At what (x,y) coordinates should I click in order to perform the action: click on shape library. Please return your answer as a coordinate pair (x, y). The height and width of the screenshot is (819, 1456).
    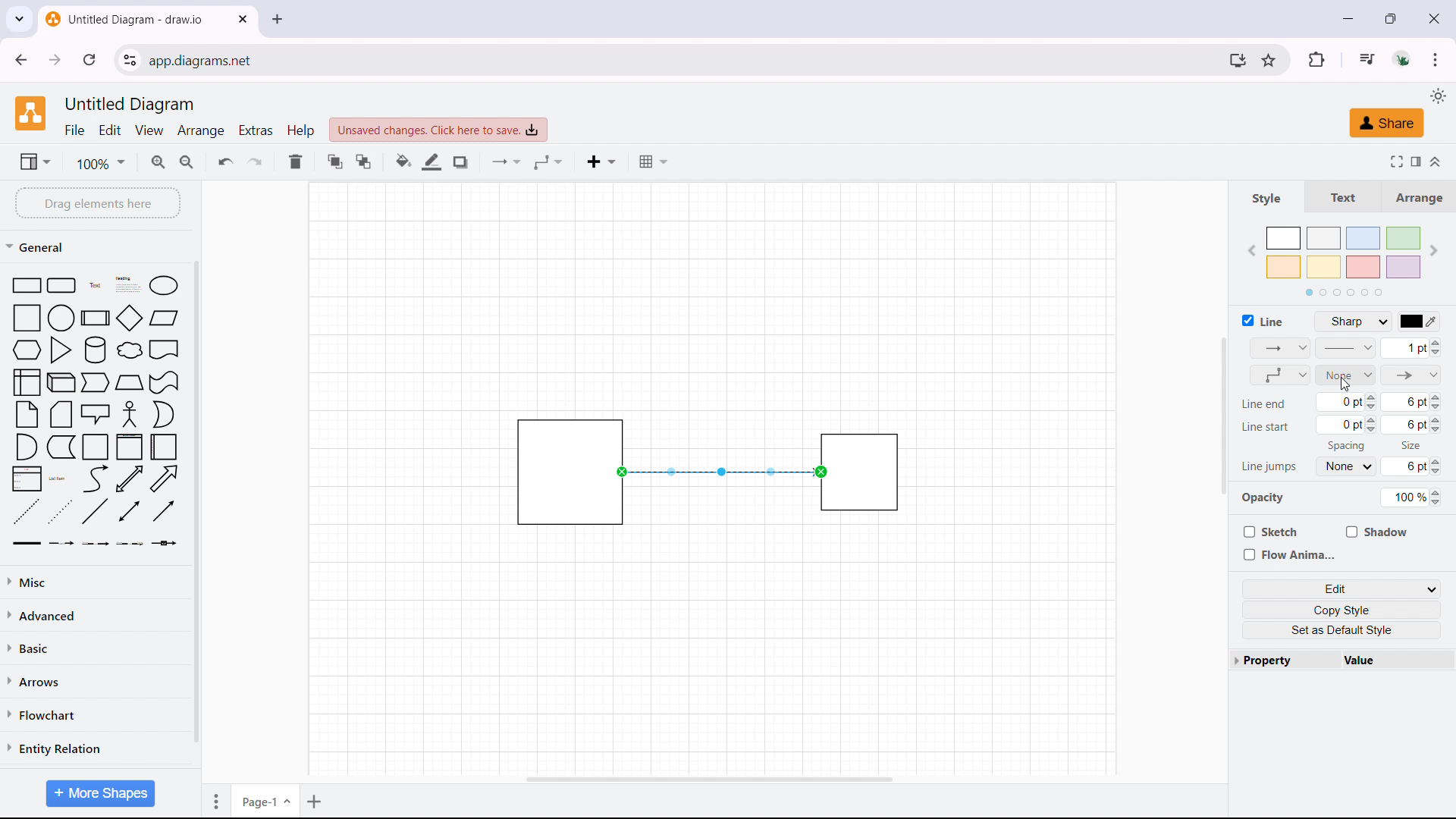
    Looking at the image, I should click on (96, 413).